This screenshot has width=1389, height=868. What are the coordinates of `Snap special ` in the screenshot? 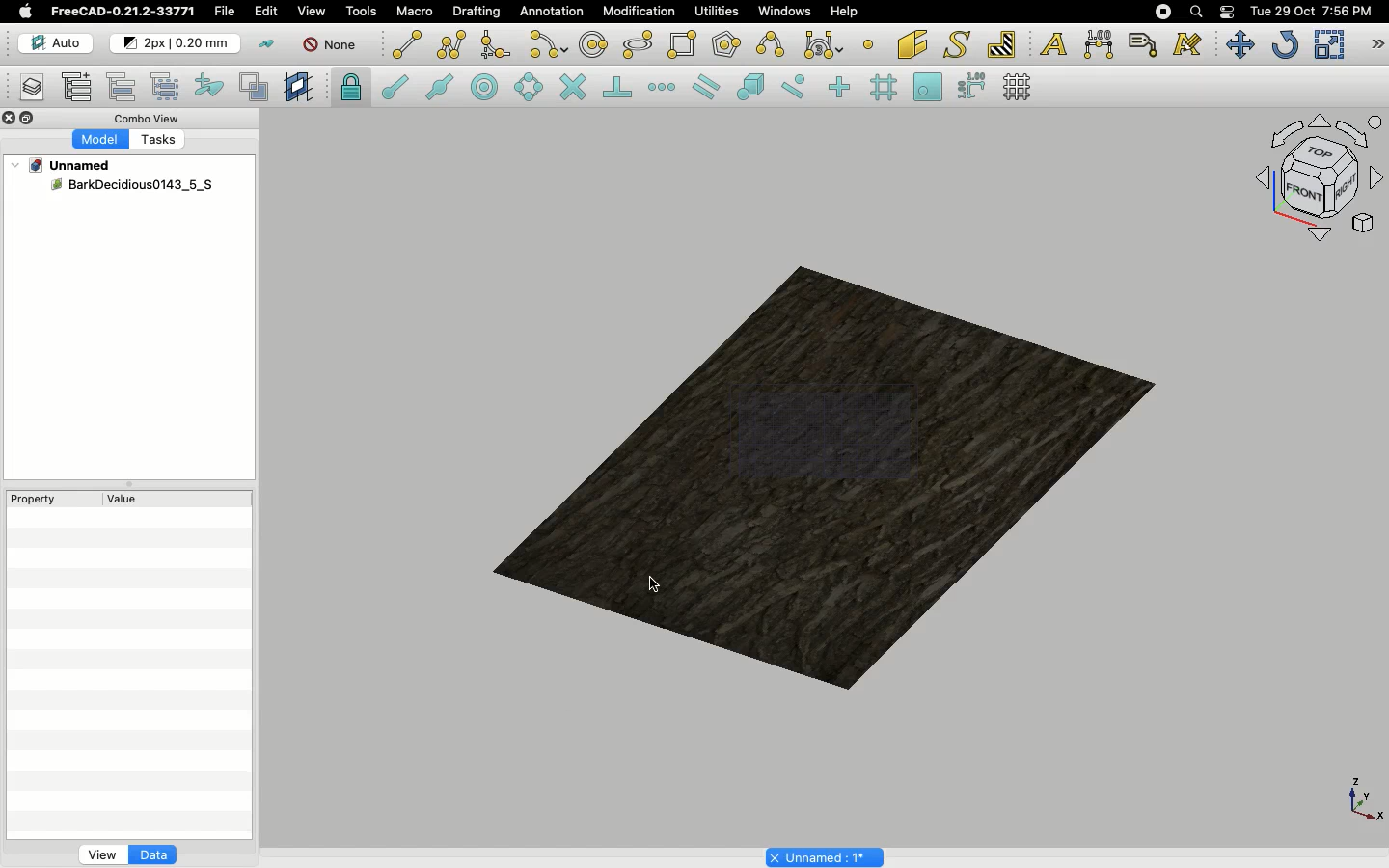 It's located at (754, 89).